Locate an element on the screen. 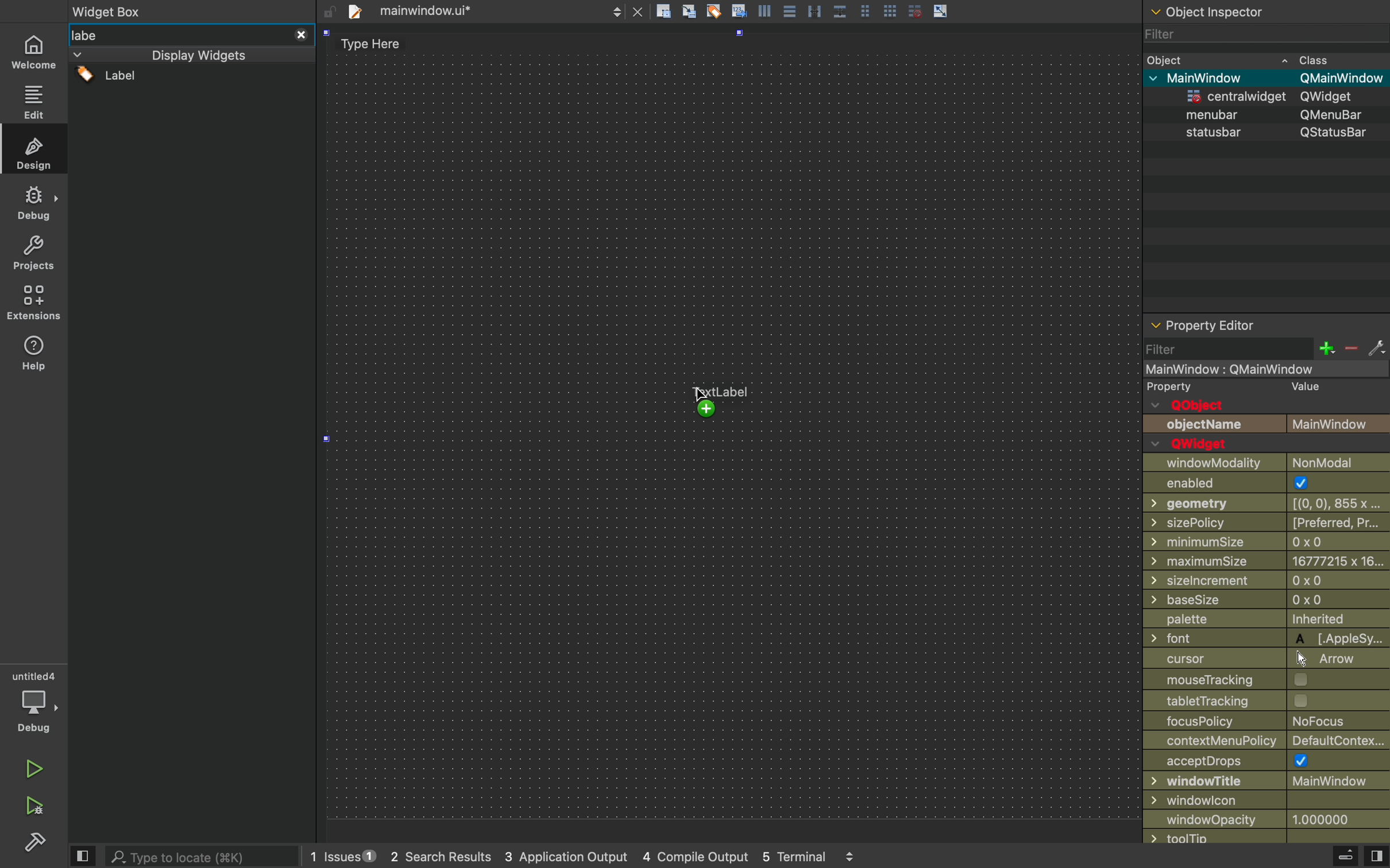 This screenshot has height=868, width=1390. filter is located at coordinates (1267, 349).